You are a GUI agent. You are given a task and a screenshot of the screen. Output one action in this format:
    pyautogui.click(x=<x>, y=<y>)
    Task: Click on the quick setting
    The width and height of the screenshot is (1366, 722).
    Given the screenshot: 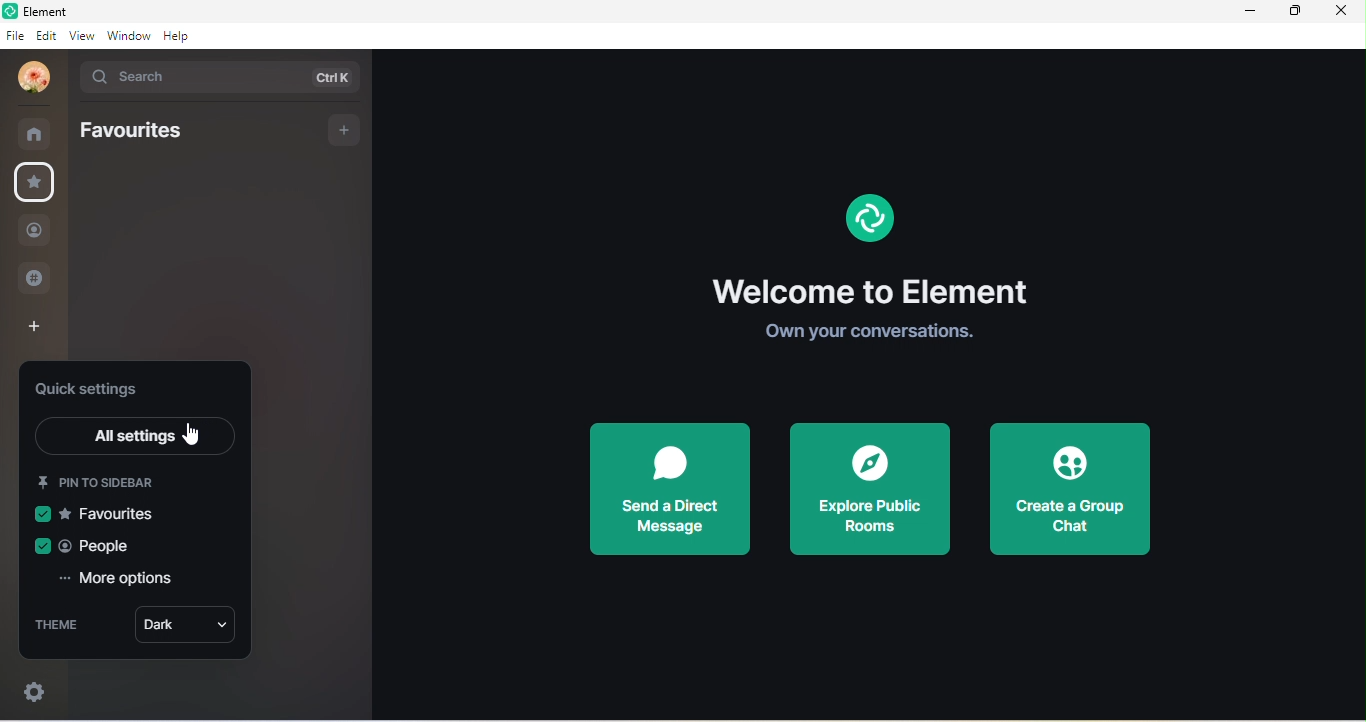 What is the action you would take?
    pyautogui.click(x=35, y=688)
    